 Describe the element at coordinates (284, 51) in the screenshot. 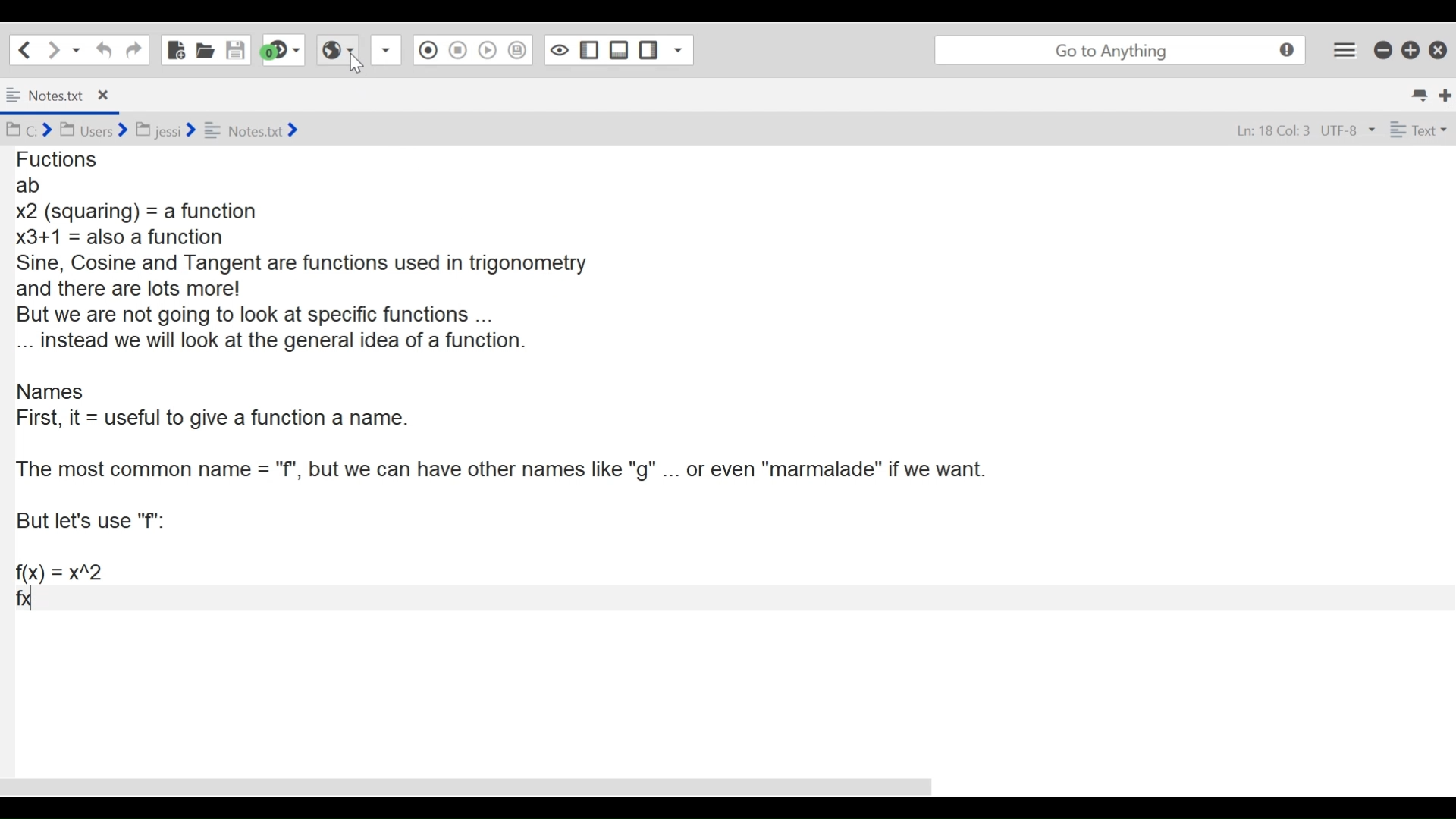

I see `Jump to the next syntax checking result` at that location.